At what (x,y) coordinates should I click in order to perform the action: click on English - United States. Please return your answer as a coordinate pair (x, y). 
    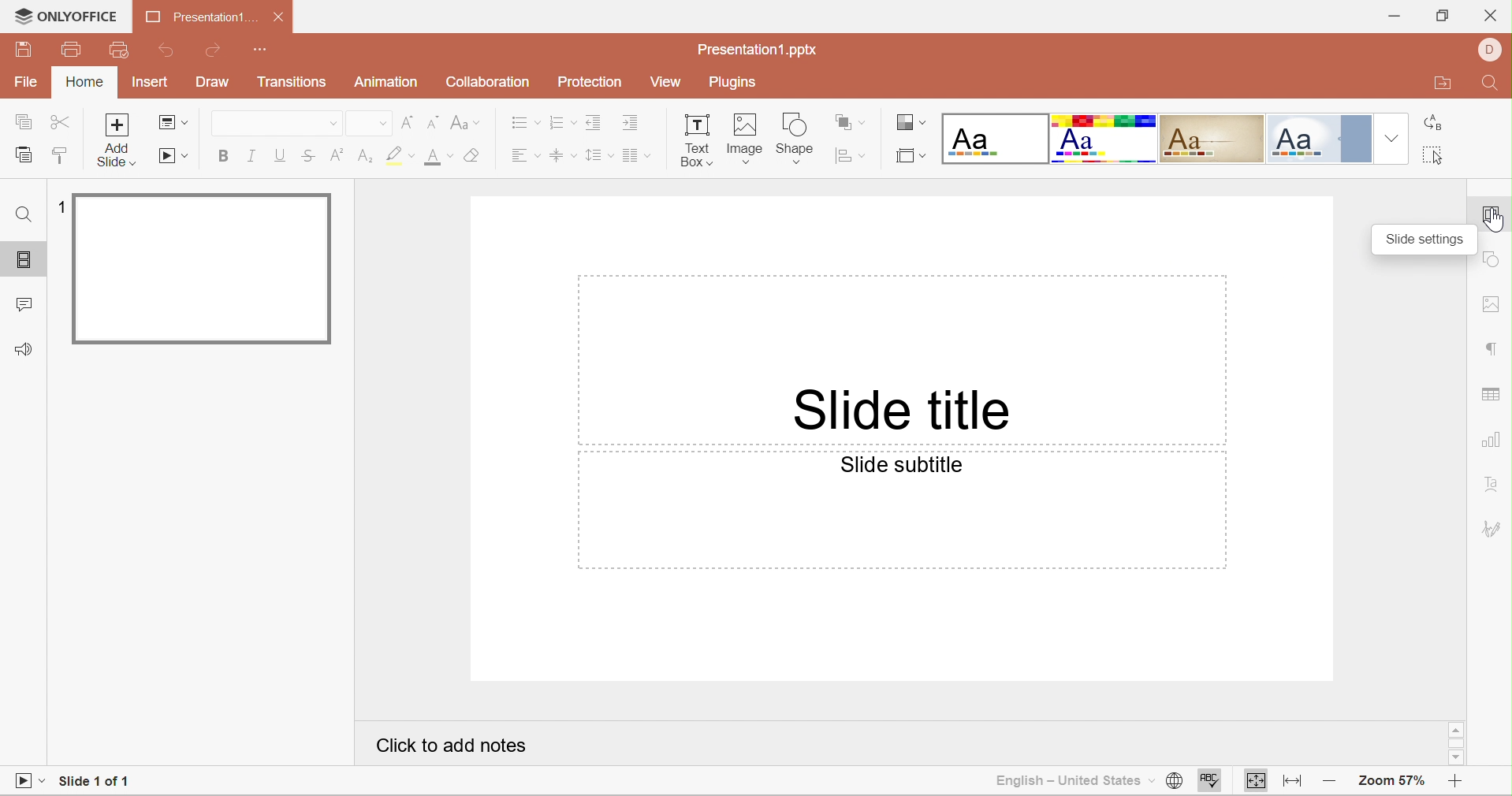
    Looking at the image, I should click on (1063, 782).